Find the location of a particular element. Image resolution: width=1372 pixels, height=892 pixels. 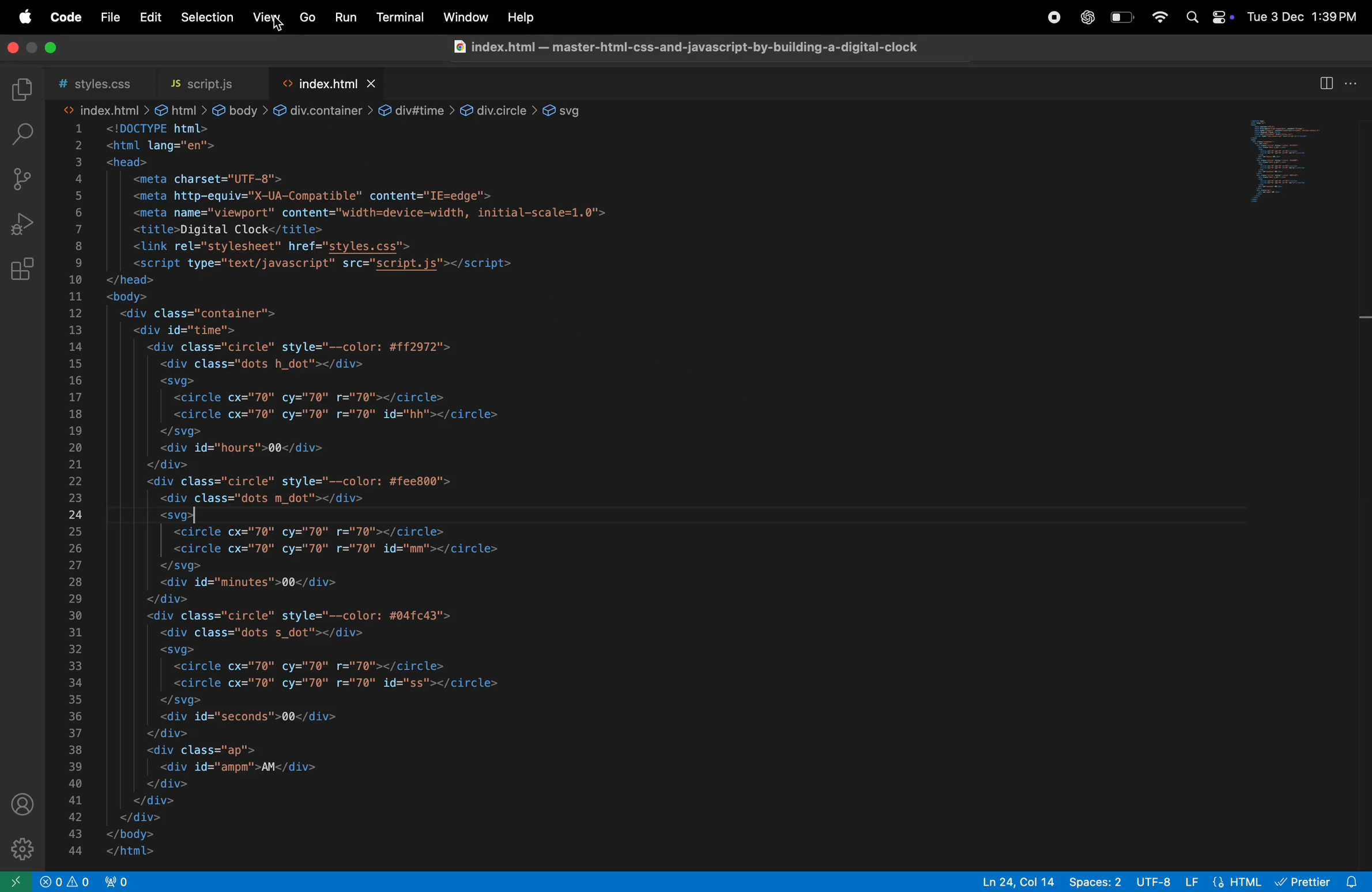

chatgpt is located at coordinates (1085, 17).